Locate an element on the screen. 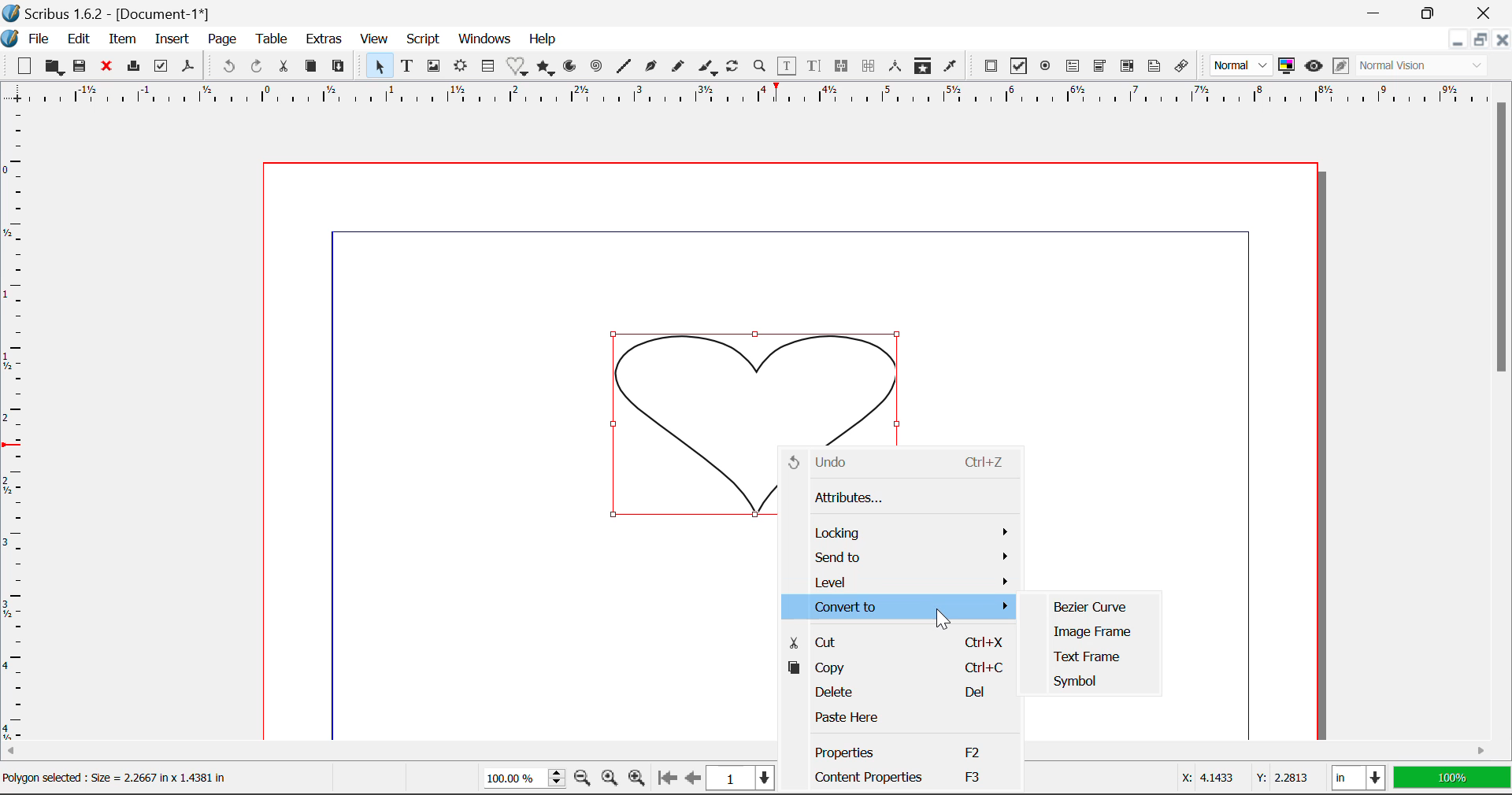  Close is located at coordinates (1503, 42).